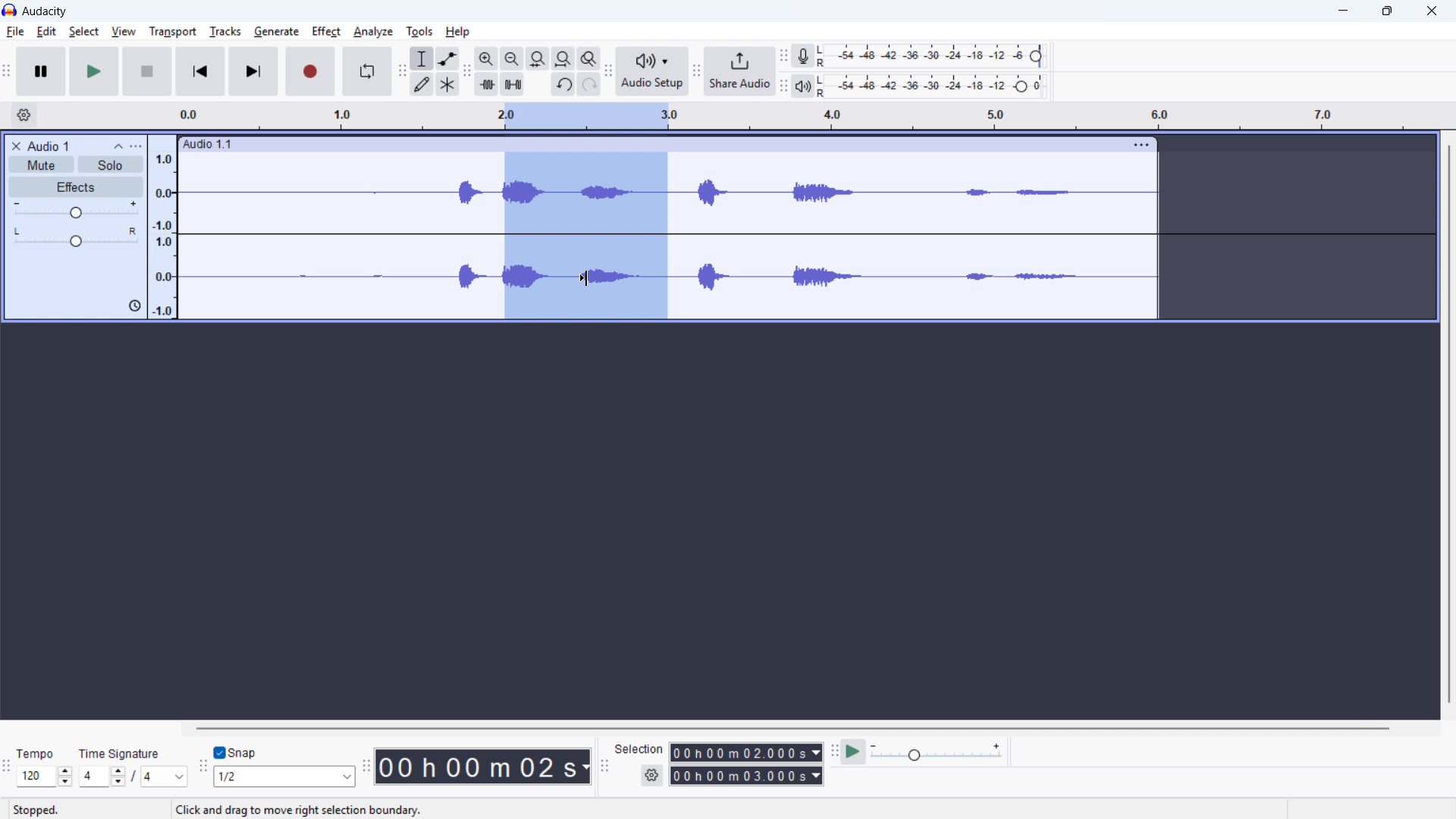 Image resolution: width=1456 pixels, height=819 pixels. I want to click on Tools, so click(419, 31).